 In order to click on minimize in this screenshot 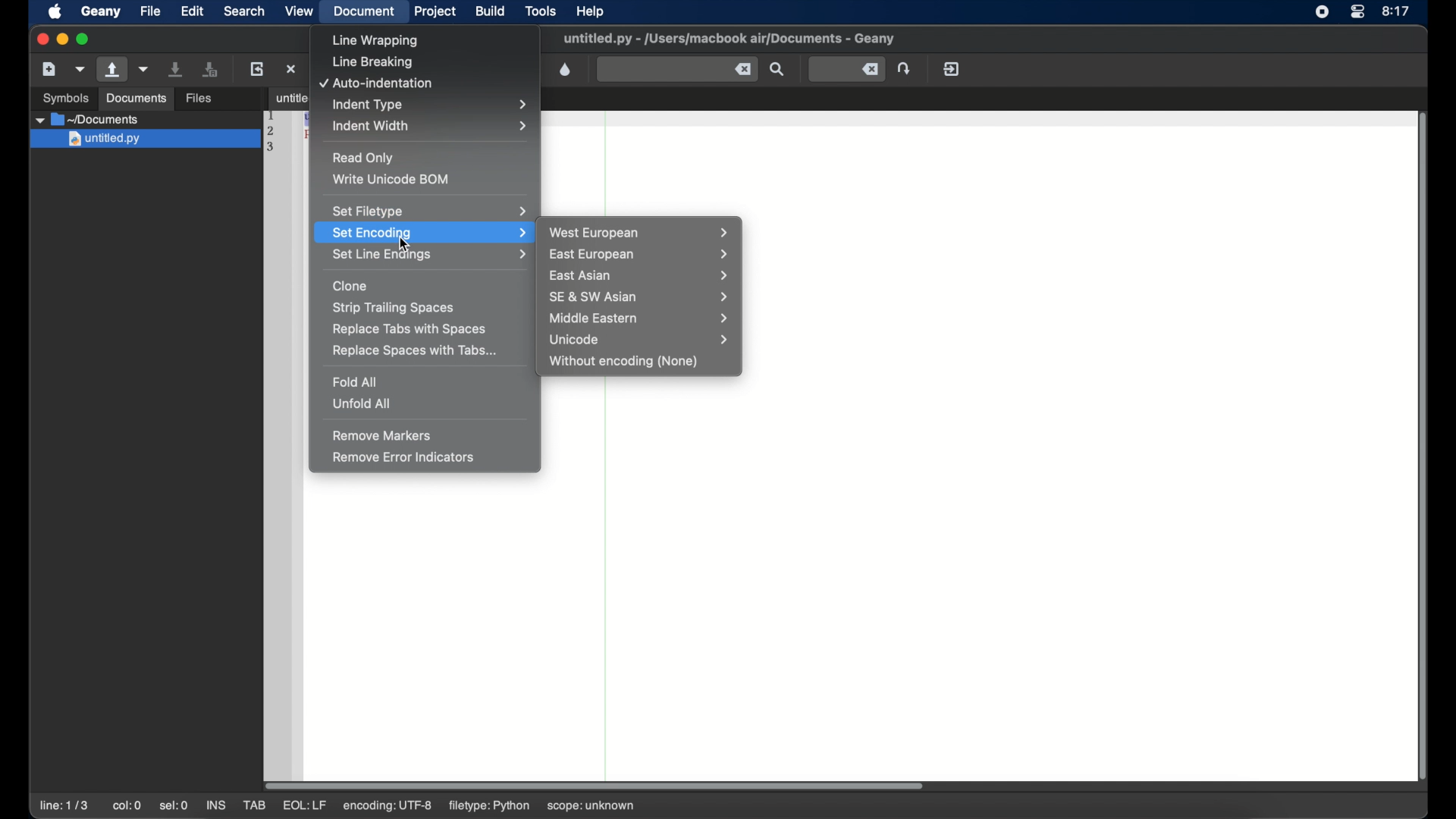, I will do `click(62, 39)`.